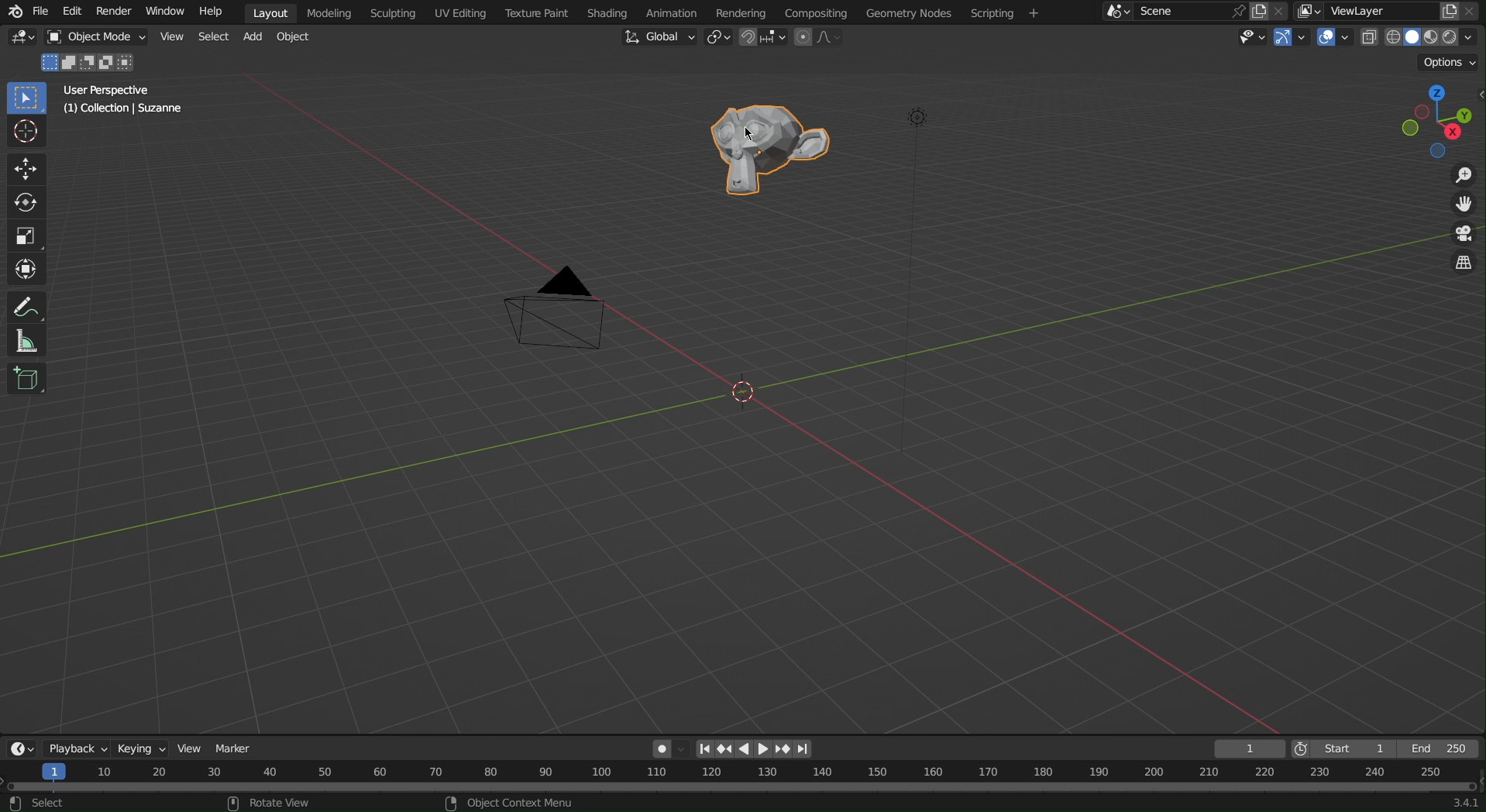 The image size is (1486, 812). What do you see at coordinates (143, 750) in the screenshot?
I see `Keying` at bounding box center [143, 750].